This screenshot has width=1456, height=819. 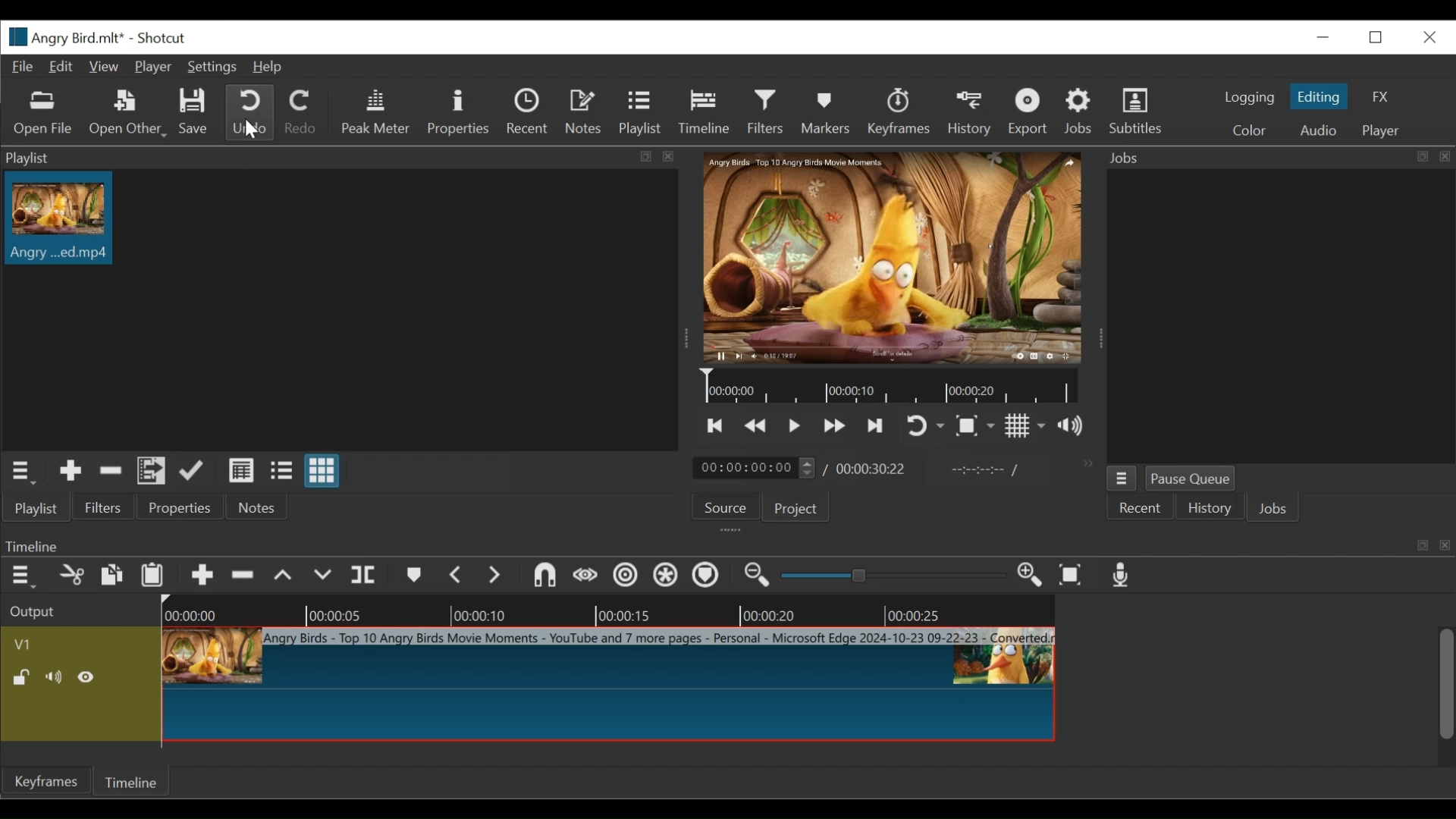 I want to click on Clip, so click(x=609, y=685).